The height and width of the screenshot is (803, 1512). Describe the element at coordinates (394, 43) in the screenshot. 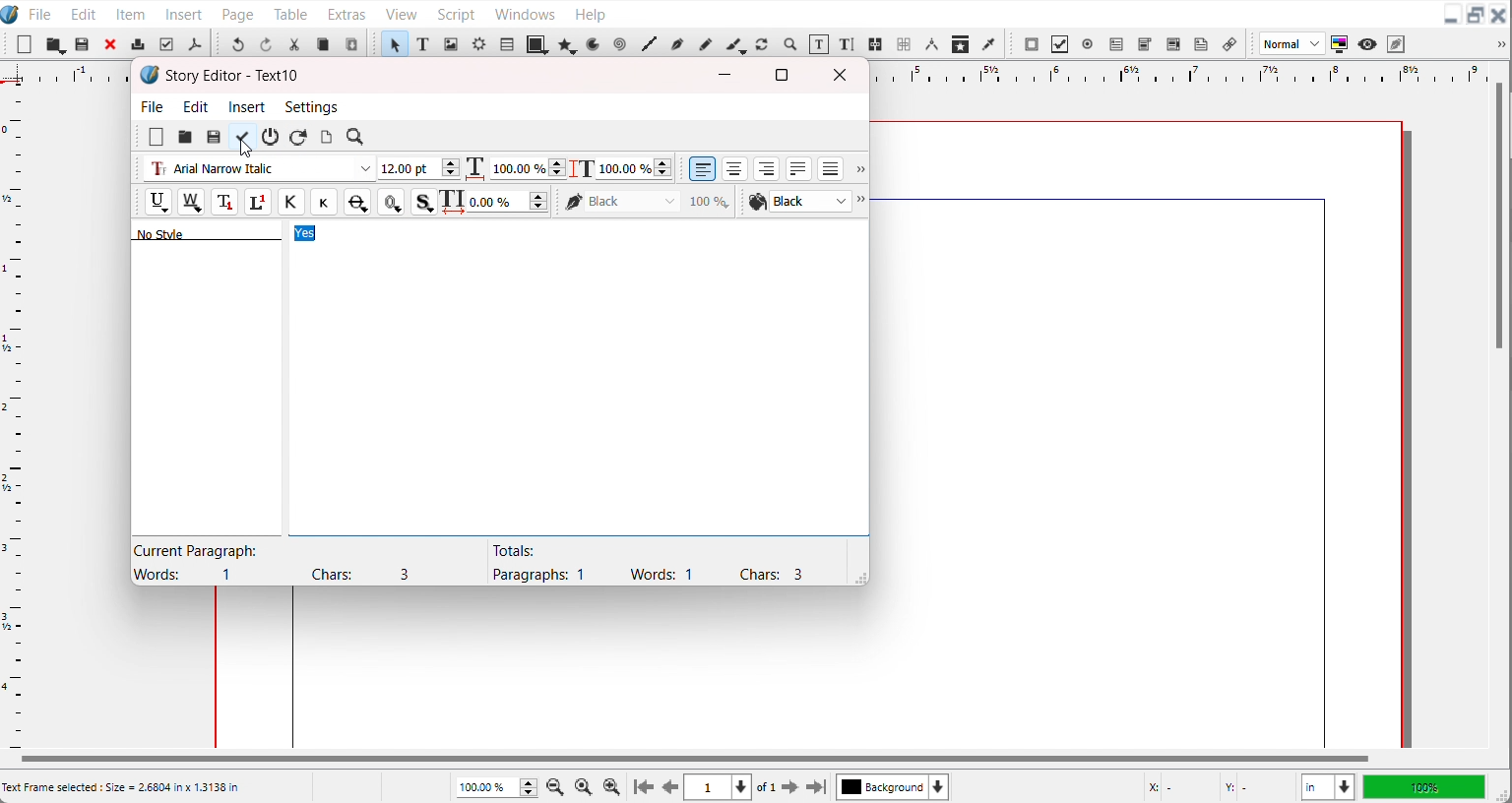

I see `Select item` at that location.